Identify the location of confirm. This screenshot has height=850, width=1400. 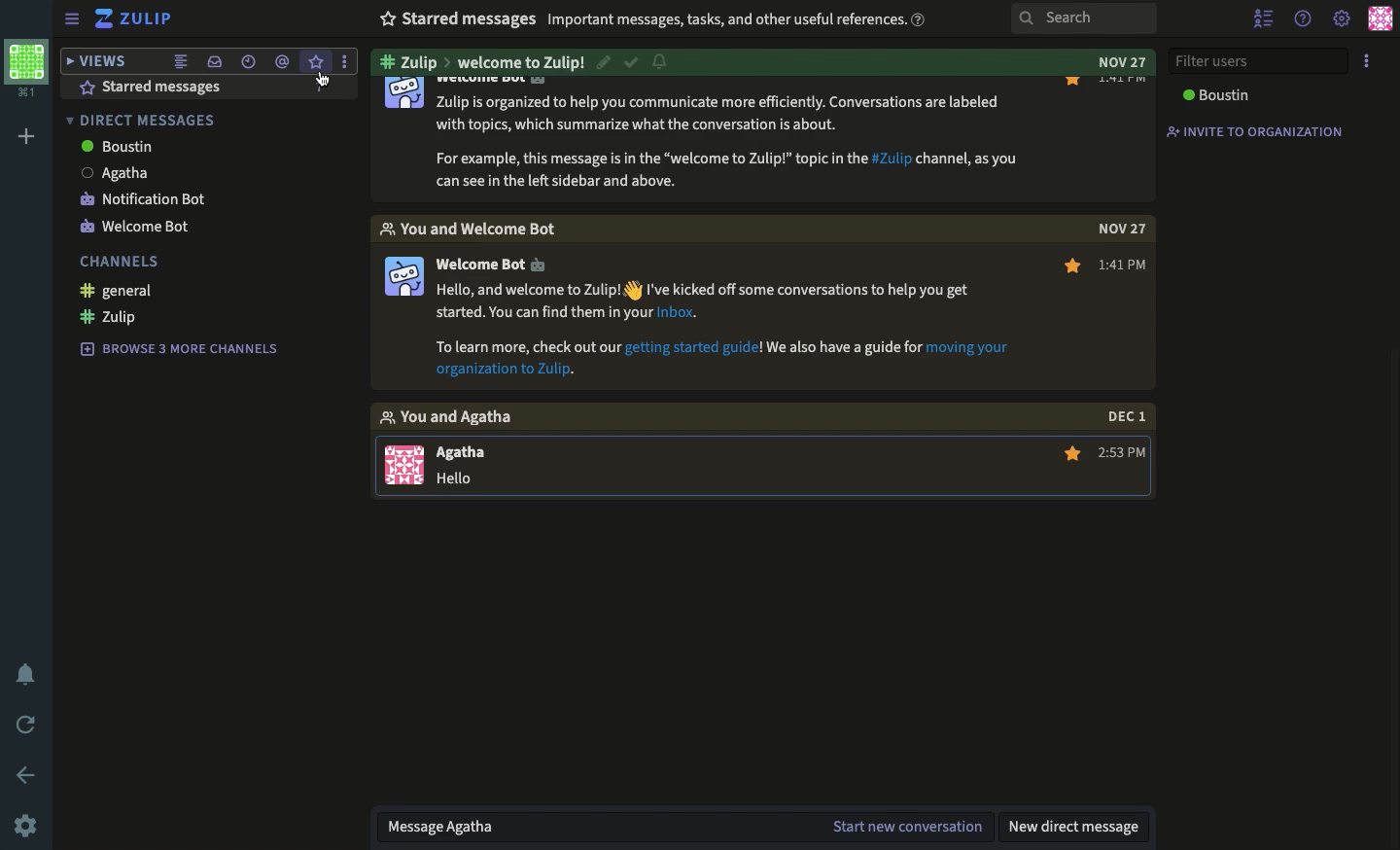
(629, 60).